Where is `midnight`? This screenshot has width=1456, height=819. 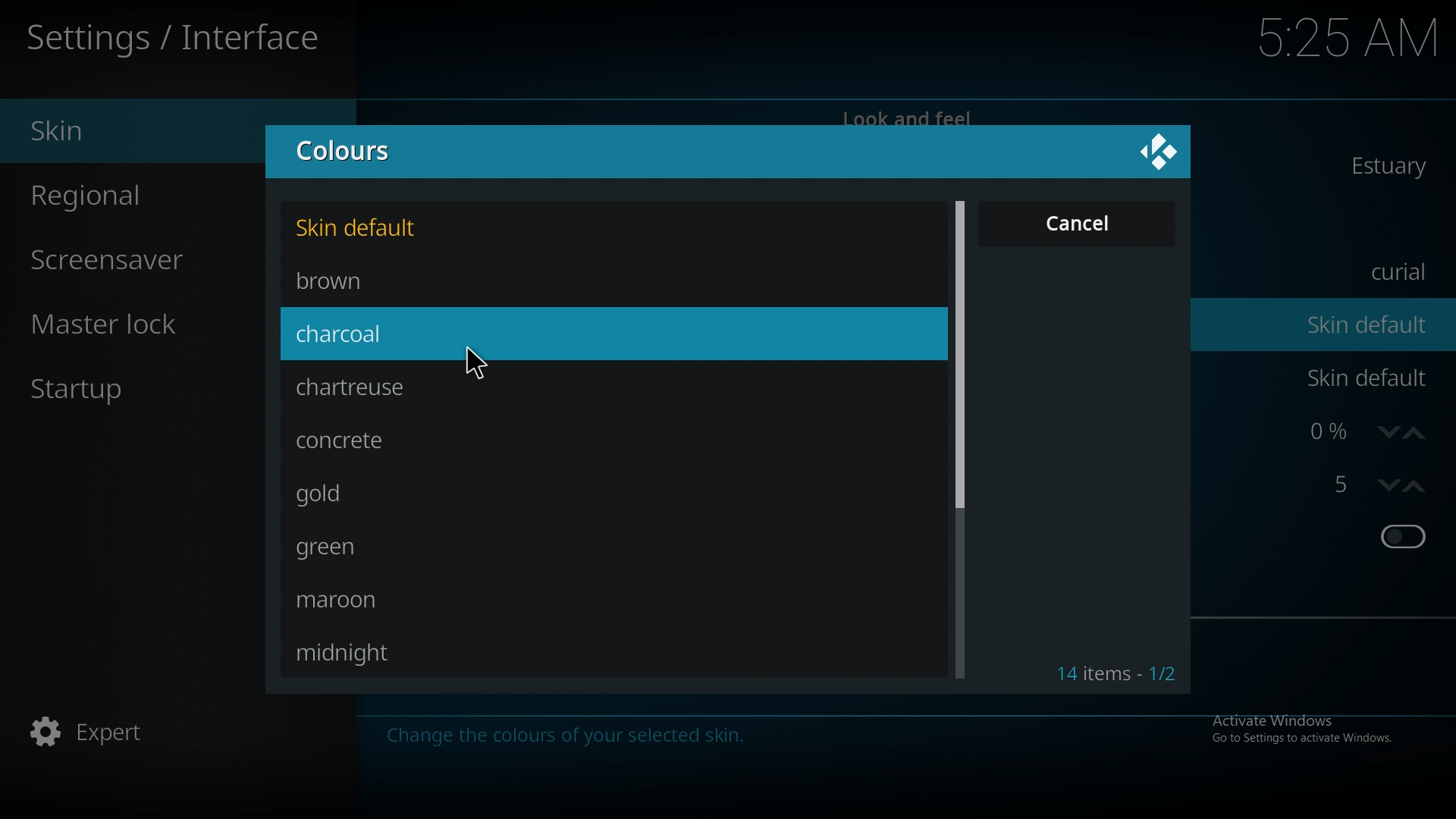
midnight is located at coordinates (351, 651).